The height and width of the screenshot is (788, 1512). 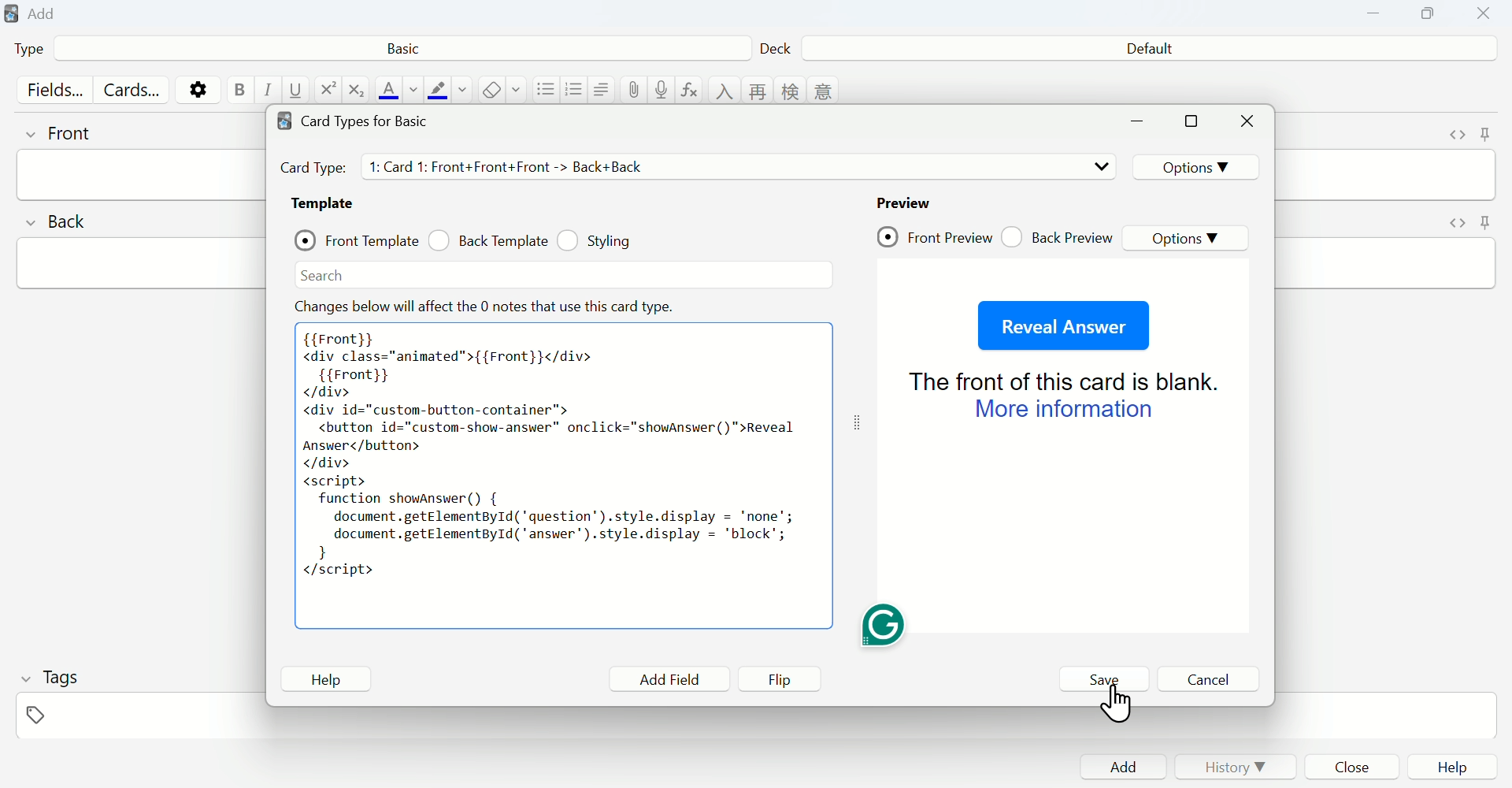 I want to click on ordered list, so click(x=574, y=90).